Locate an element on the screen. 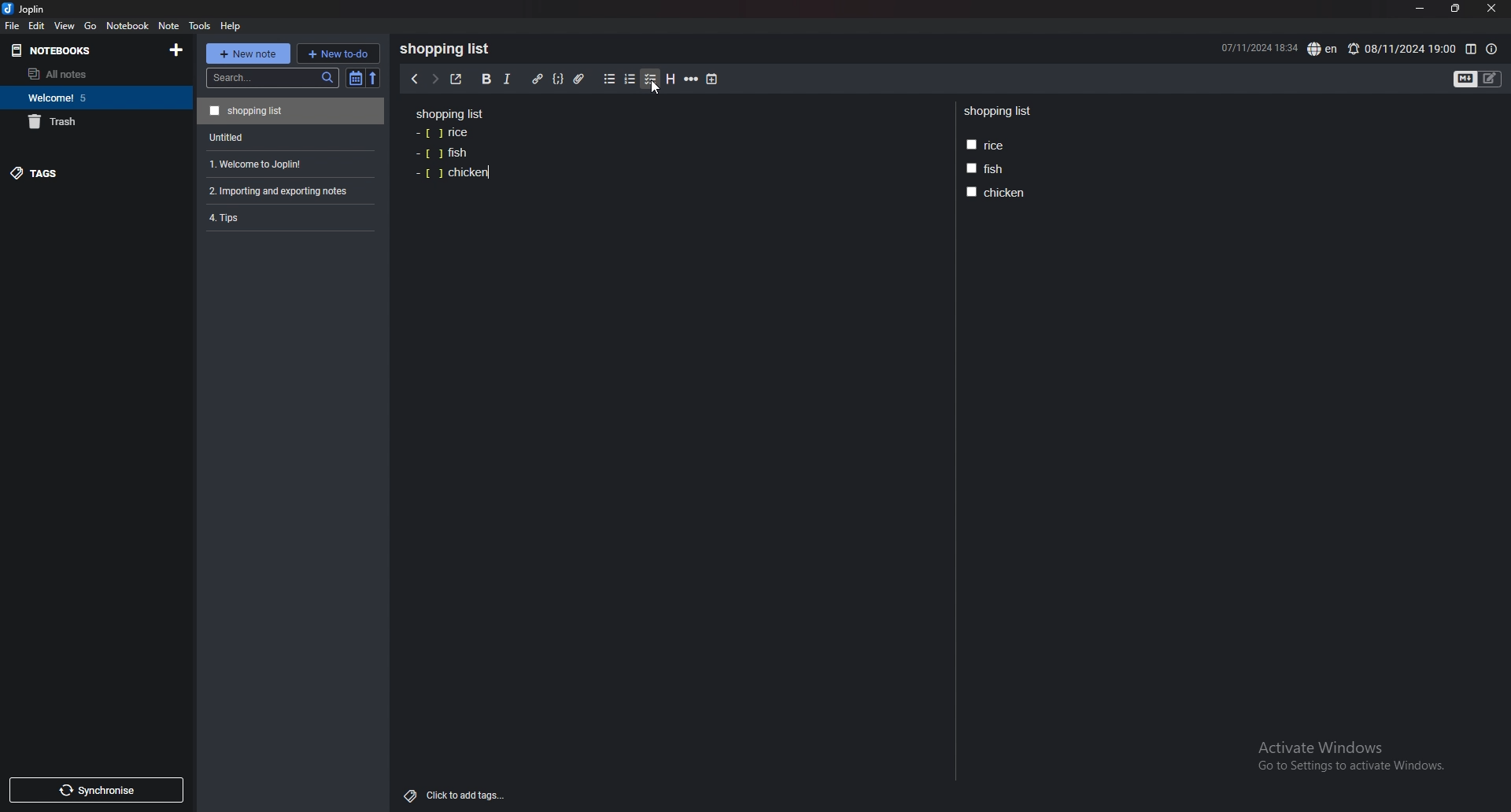  minimize is located at coordinates (1420, 9).